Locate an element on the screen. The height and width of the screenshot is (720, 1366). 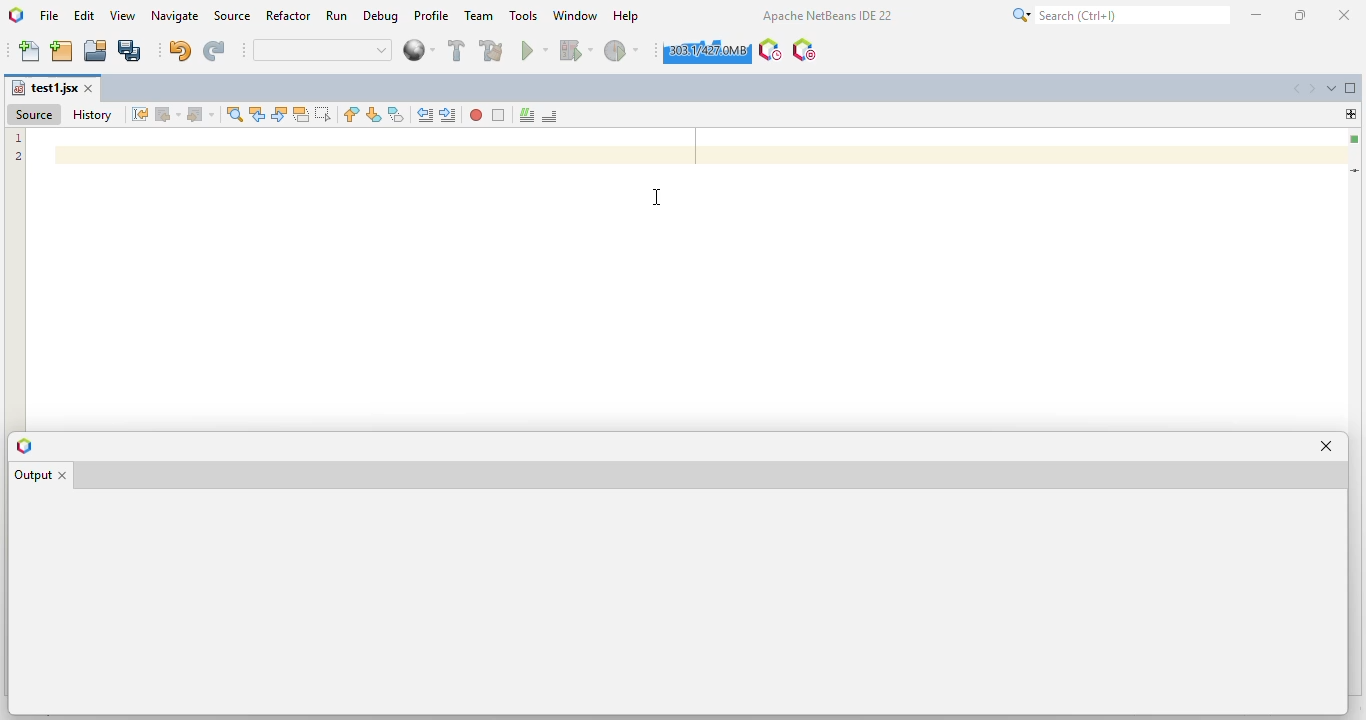
minimize is located at coordinates (1257, 15).